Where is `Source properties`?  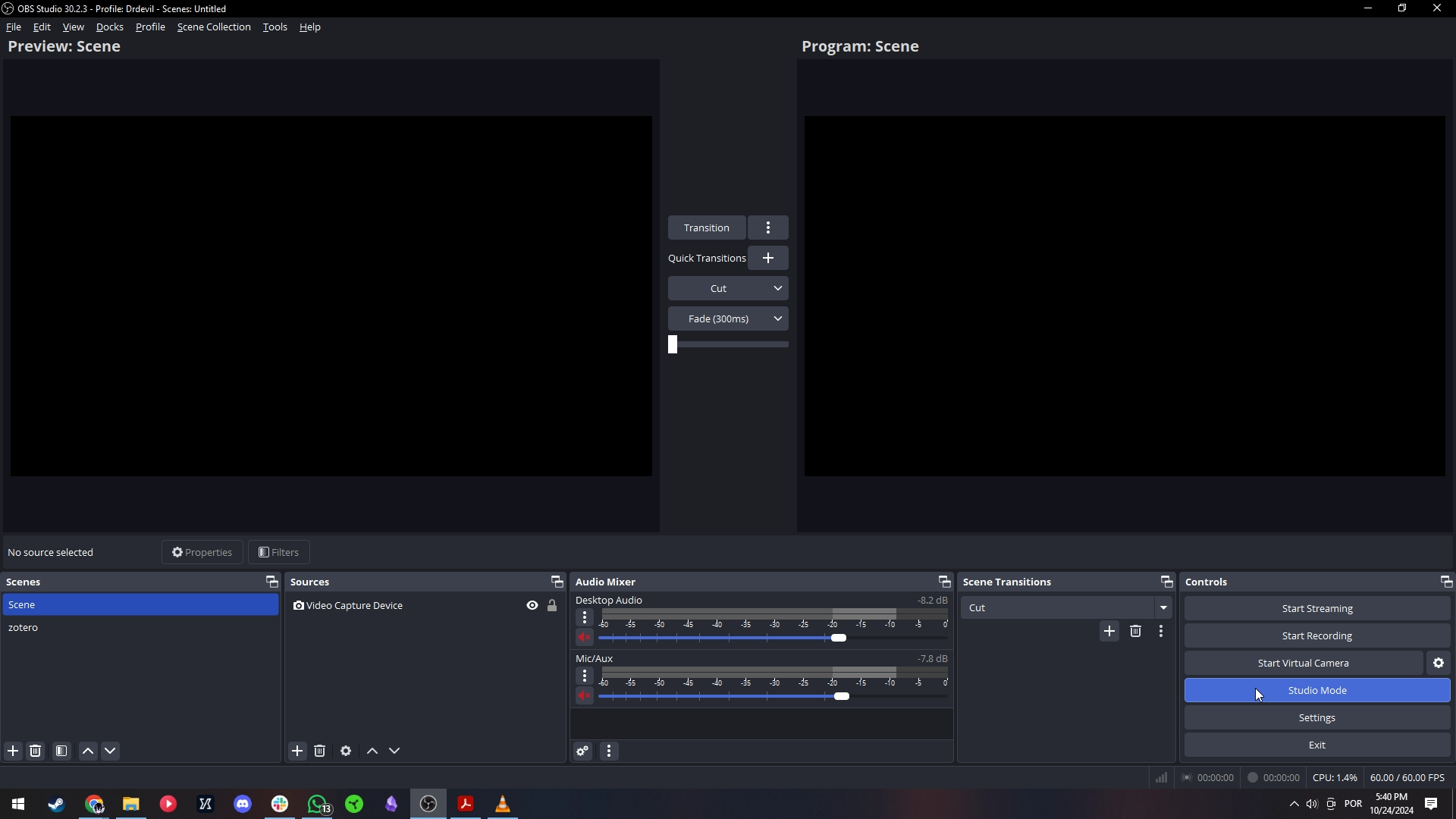 Source properties is located at coordinates (347, 752).